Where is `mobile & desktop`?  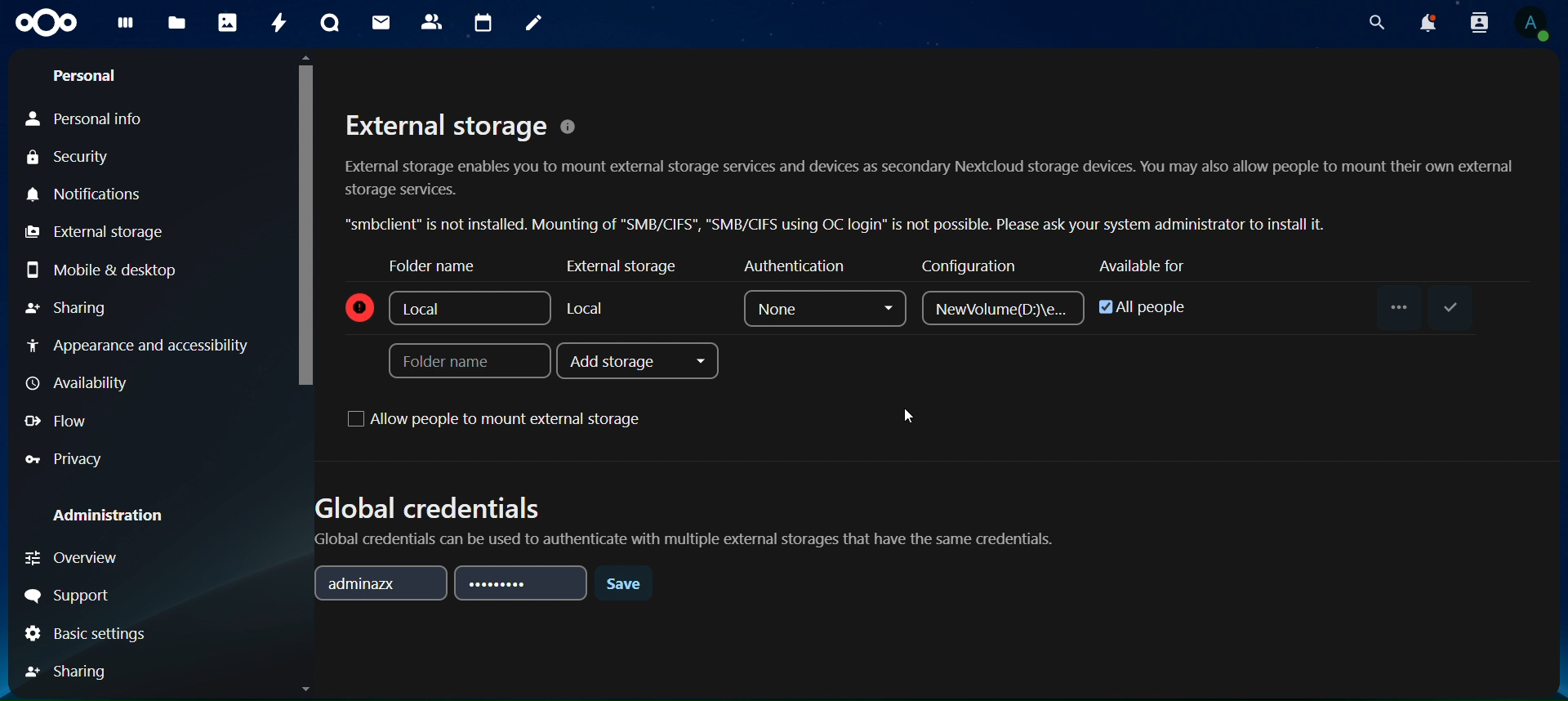
mobile & desktop is located at coordinates (101, 269).